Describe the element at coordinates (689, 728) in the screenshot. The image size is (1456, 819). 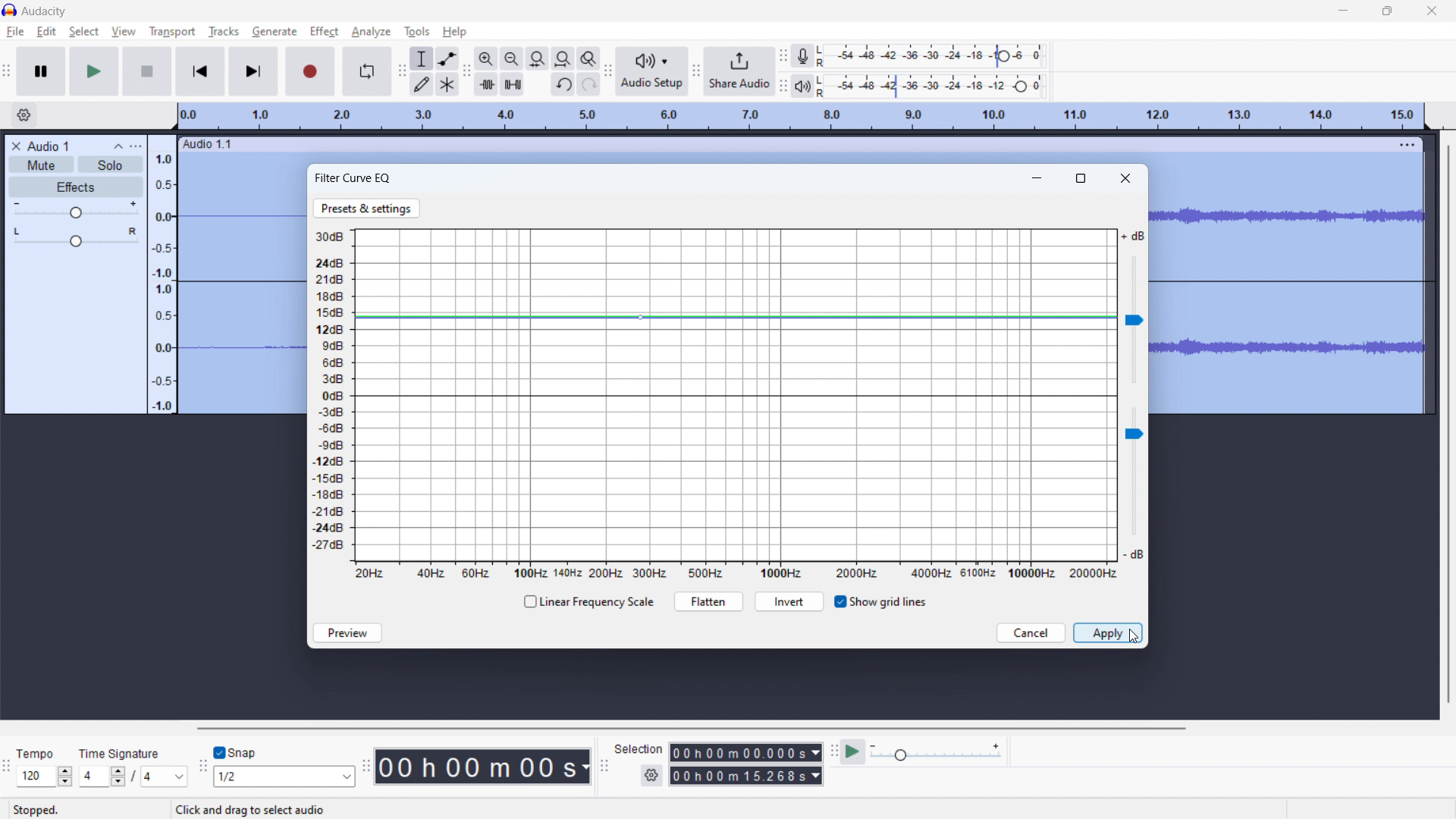
I see `horizontal scrollbar` at that location.